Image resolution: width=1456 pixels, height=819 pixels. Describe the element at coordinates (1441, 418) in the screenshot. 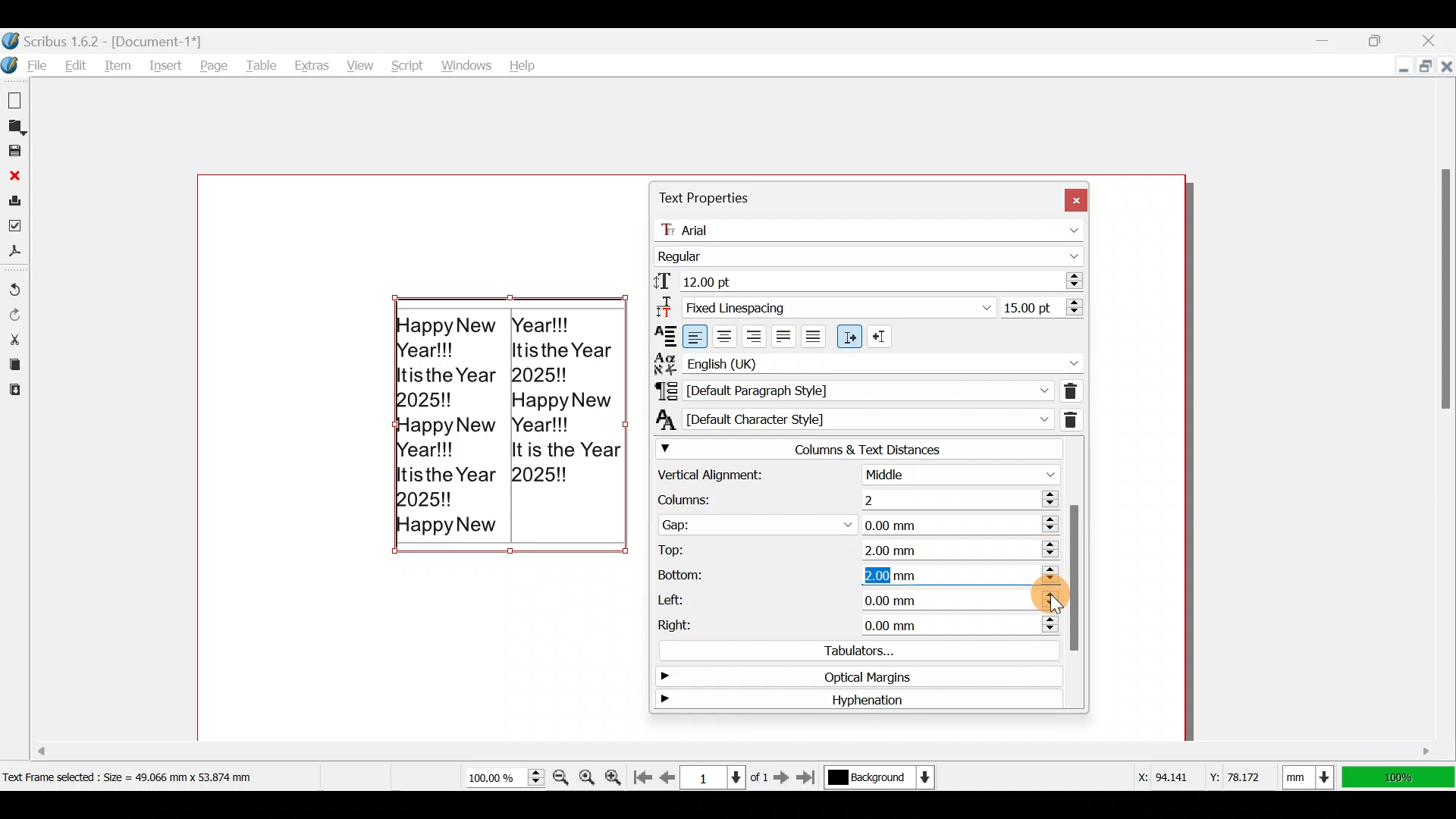

I see `Scroll bar` at that location.